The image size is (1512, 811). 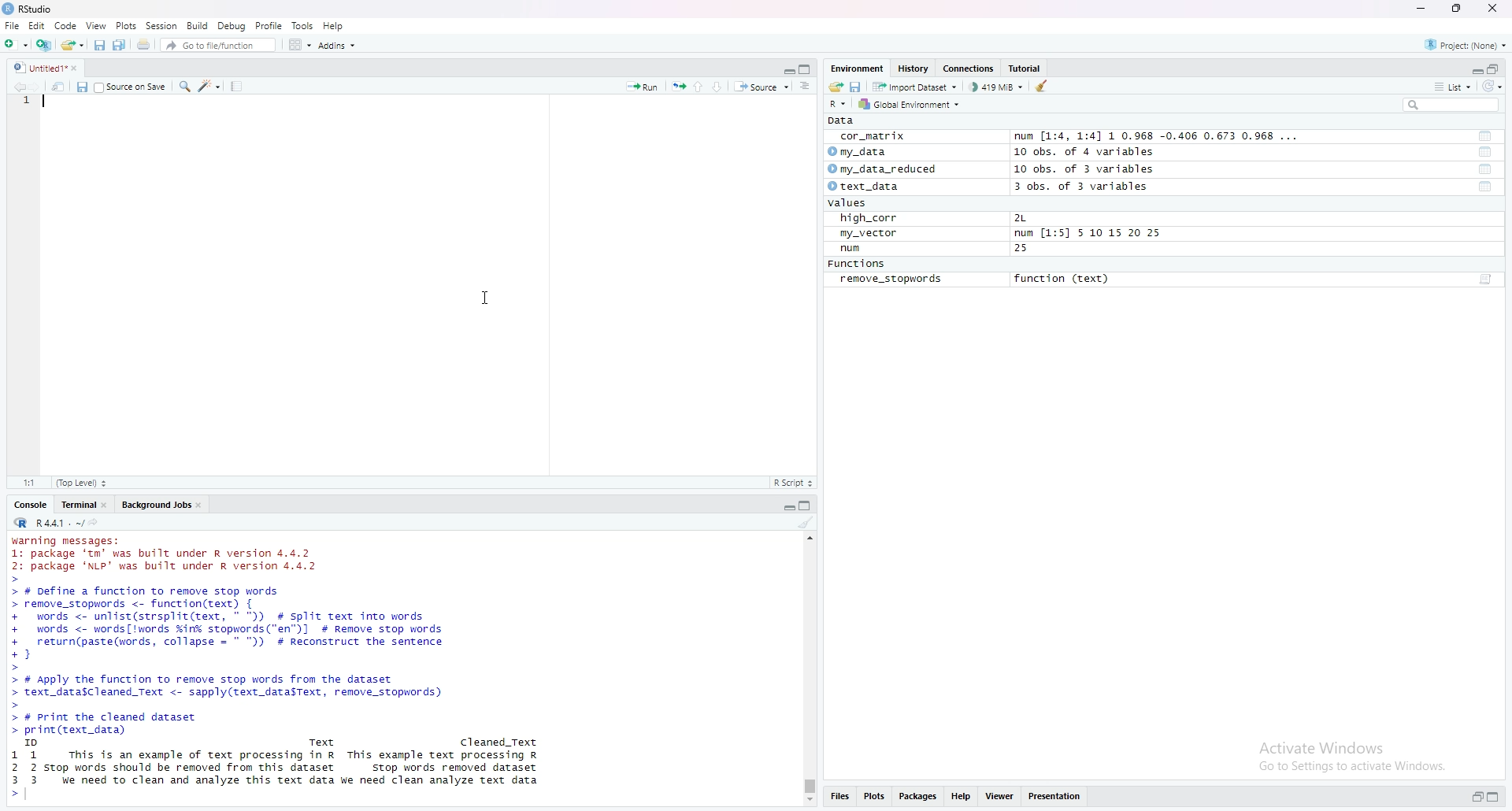 What do you see at coordinates (1319, 744) in the screenshot?
I see `Activate Windows` at bounding box center [1319, 744].